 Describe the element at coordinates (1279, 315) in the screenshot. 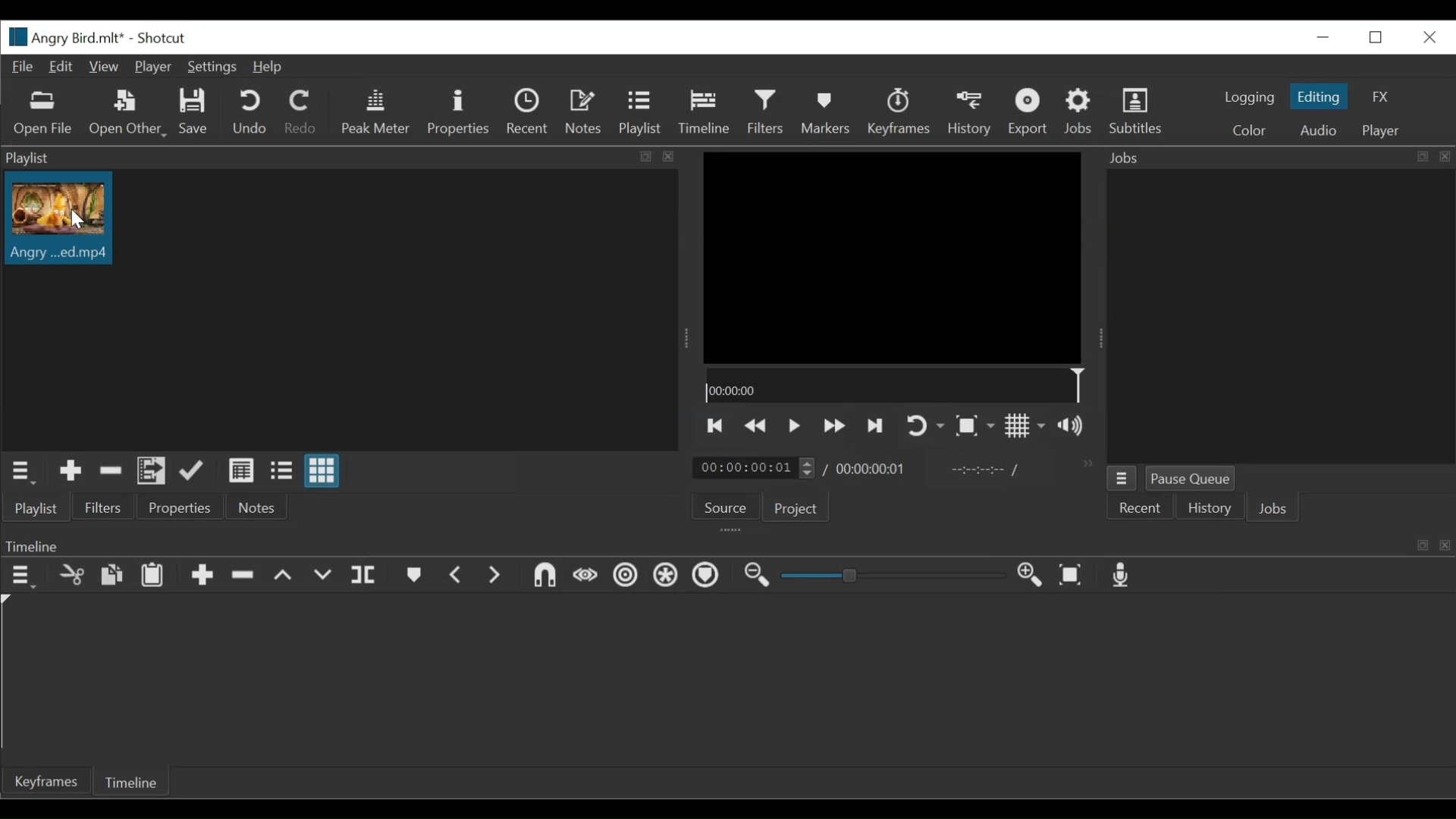

I see `Jobs Panel` at that location.